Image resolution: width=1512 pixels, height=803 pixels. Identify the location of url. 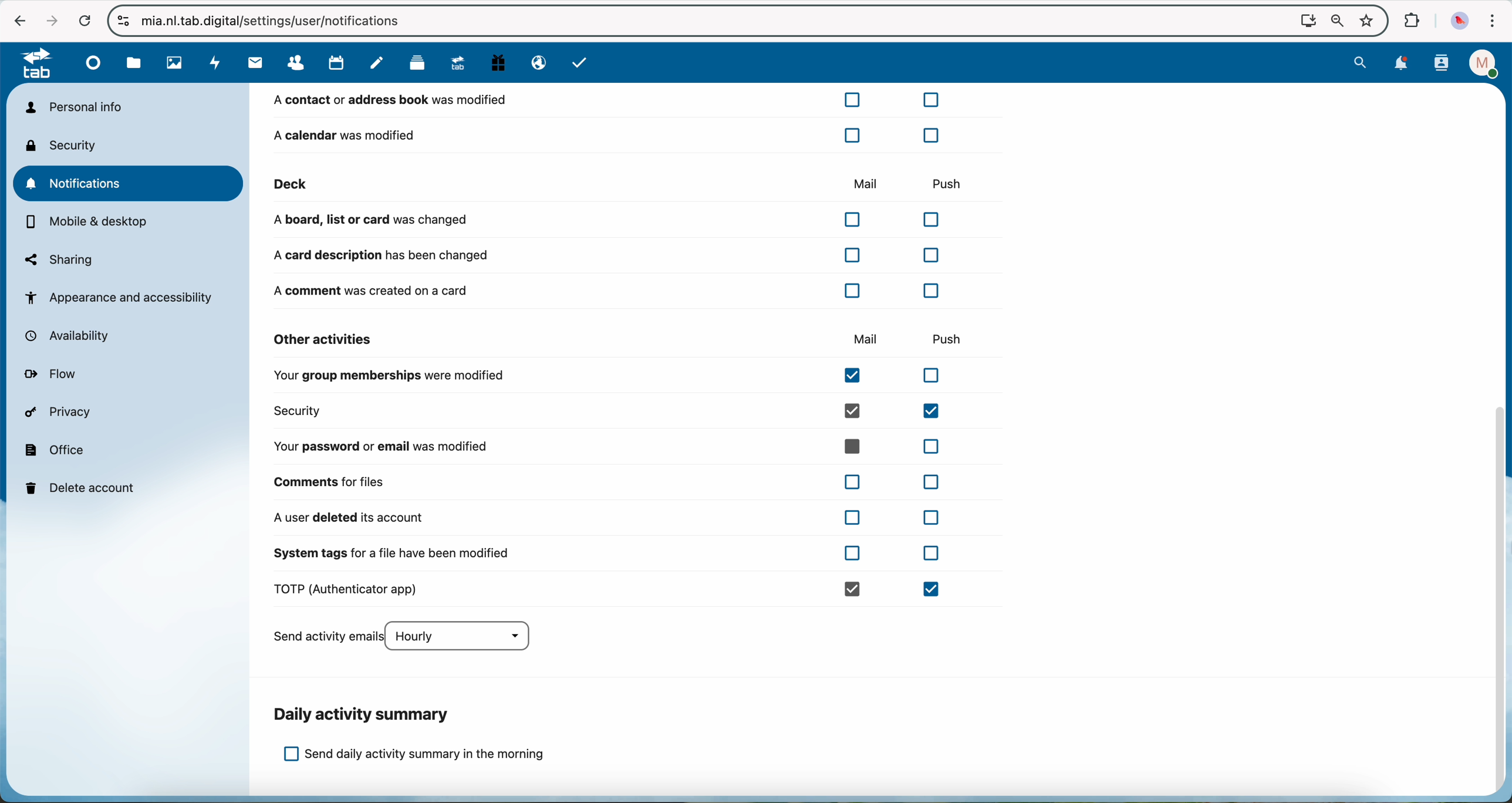
(283, 21).